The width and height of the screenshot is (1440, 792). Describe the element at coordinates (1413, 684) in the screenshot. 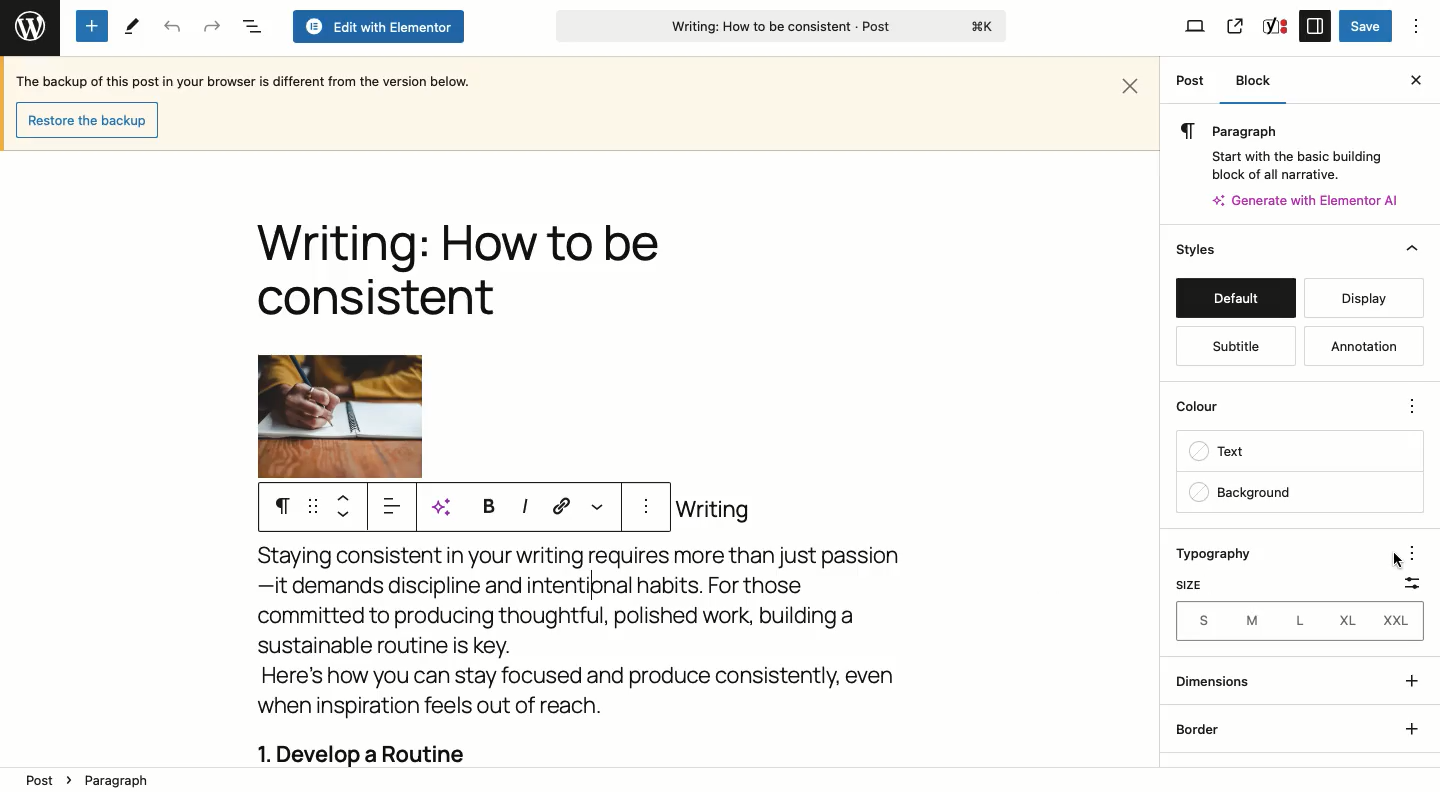

I see `+` at that location.